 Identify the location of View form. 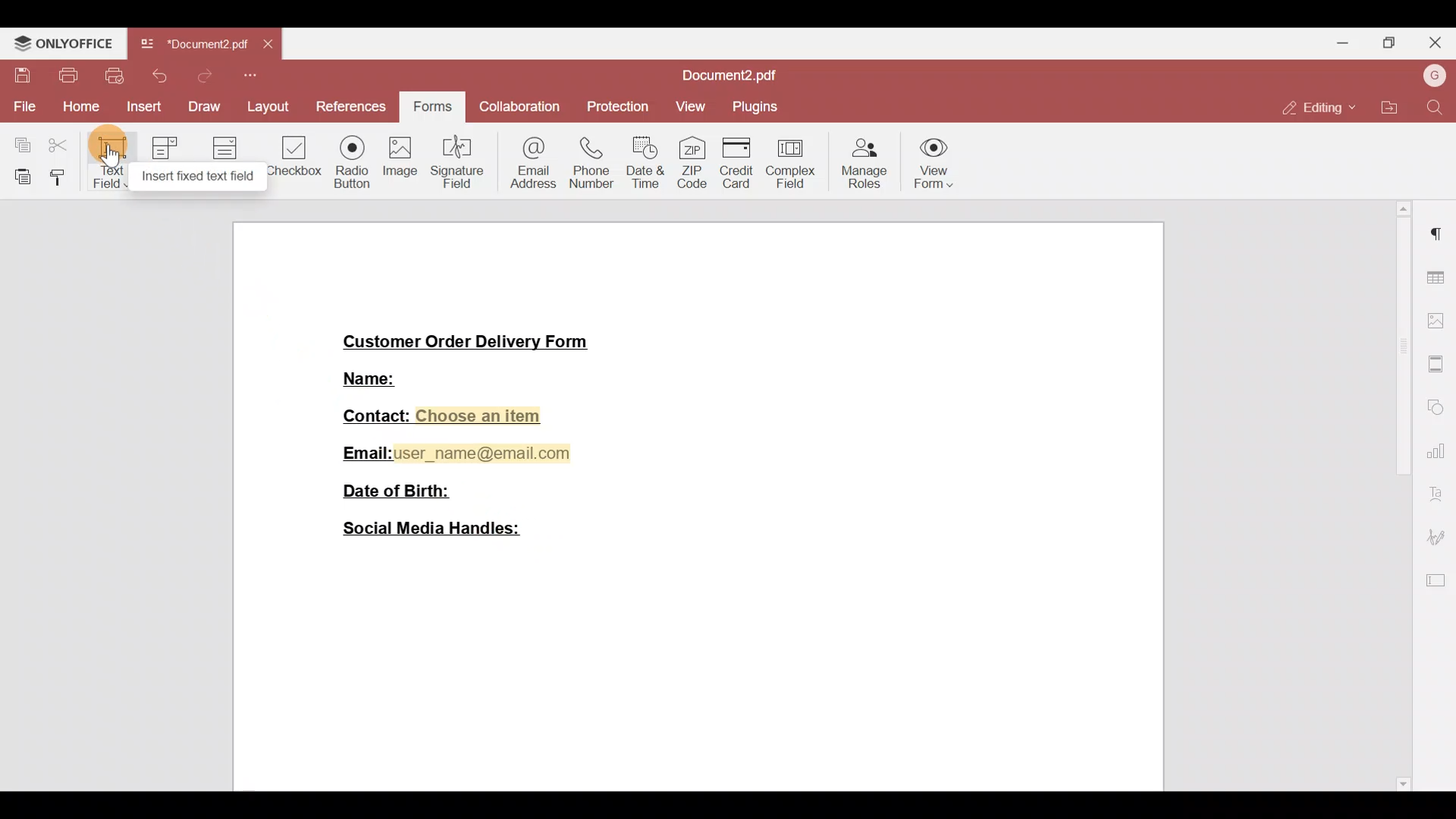
(941, 161).